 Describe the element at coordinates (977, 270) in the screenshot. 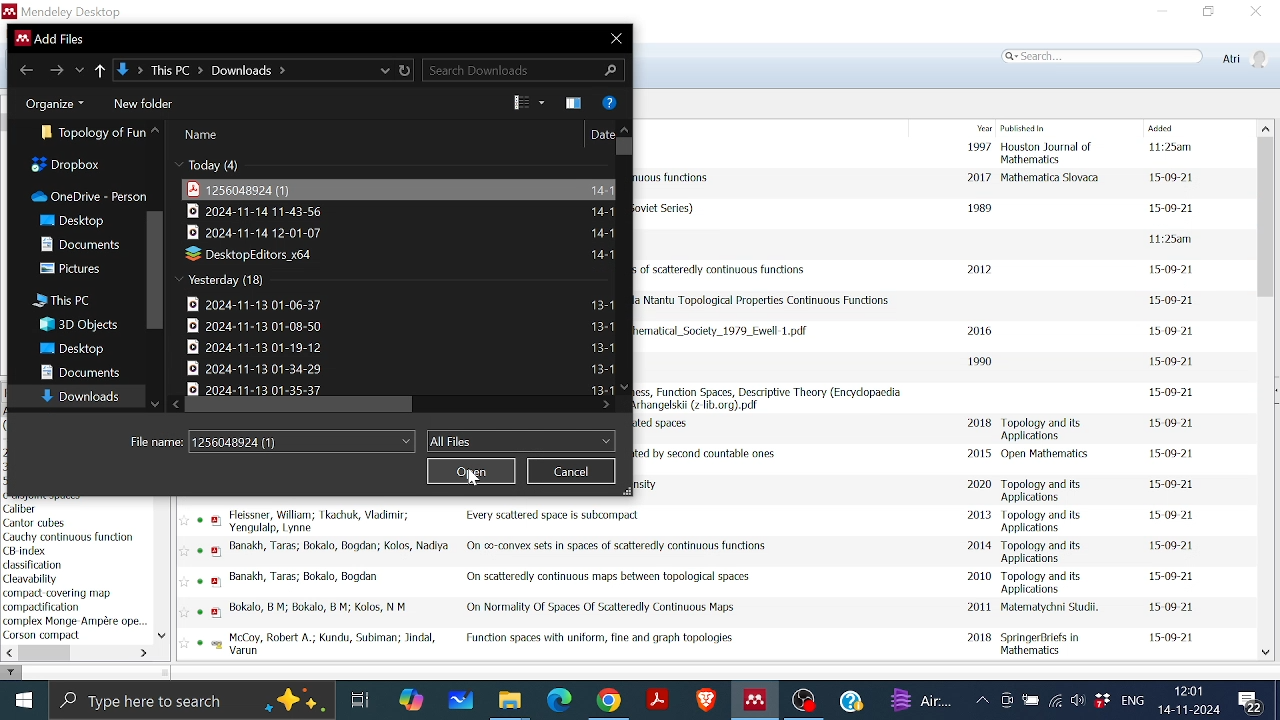

I see `2012` at that location.